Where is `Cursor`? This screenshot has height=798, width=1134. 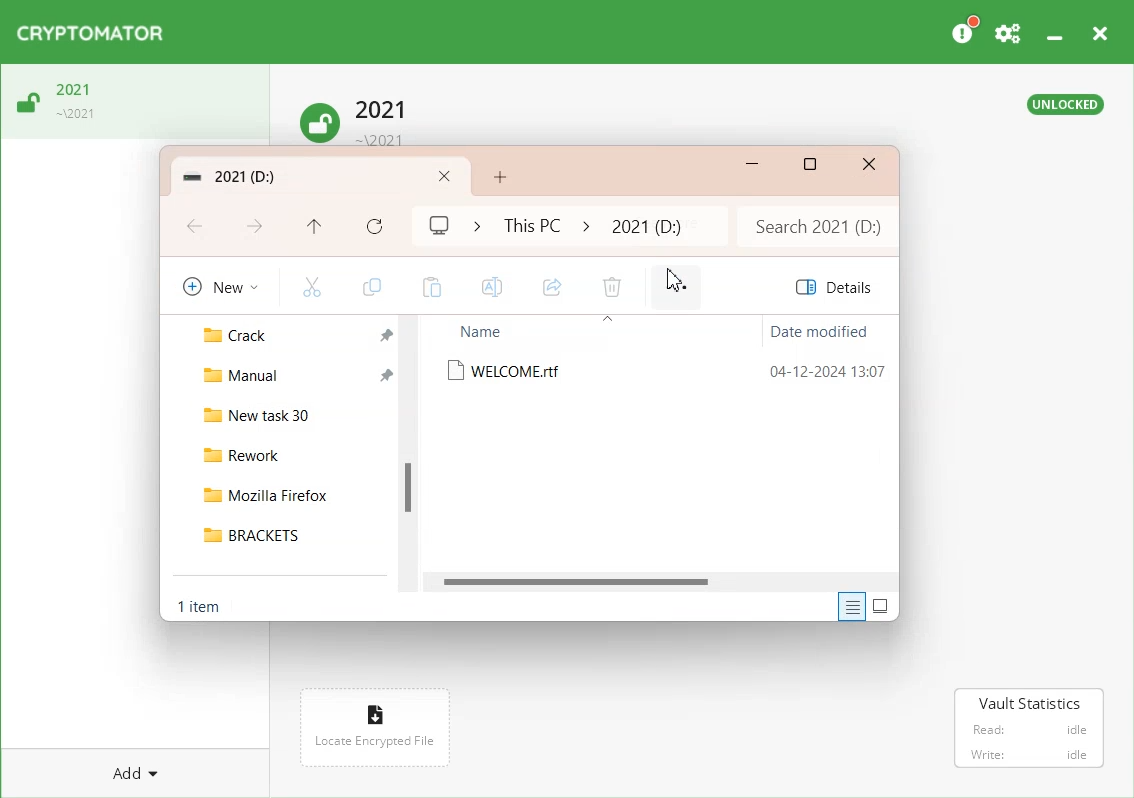 Cursor is located at coordinates (678, 282).